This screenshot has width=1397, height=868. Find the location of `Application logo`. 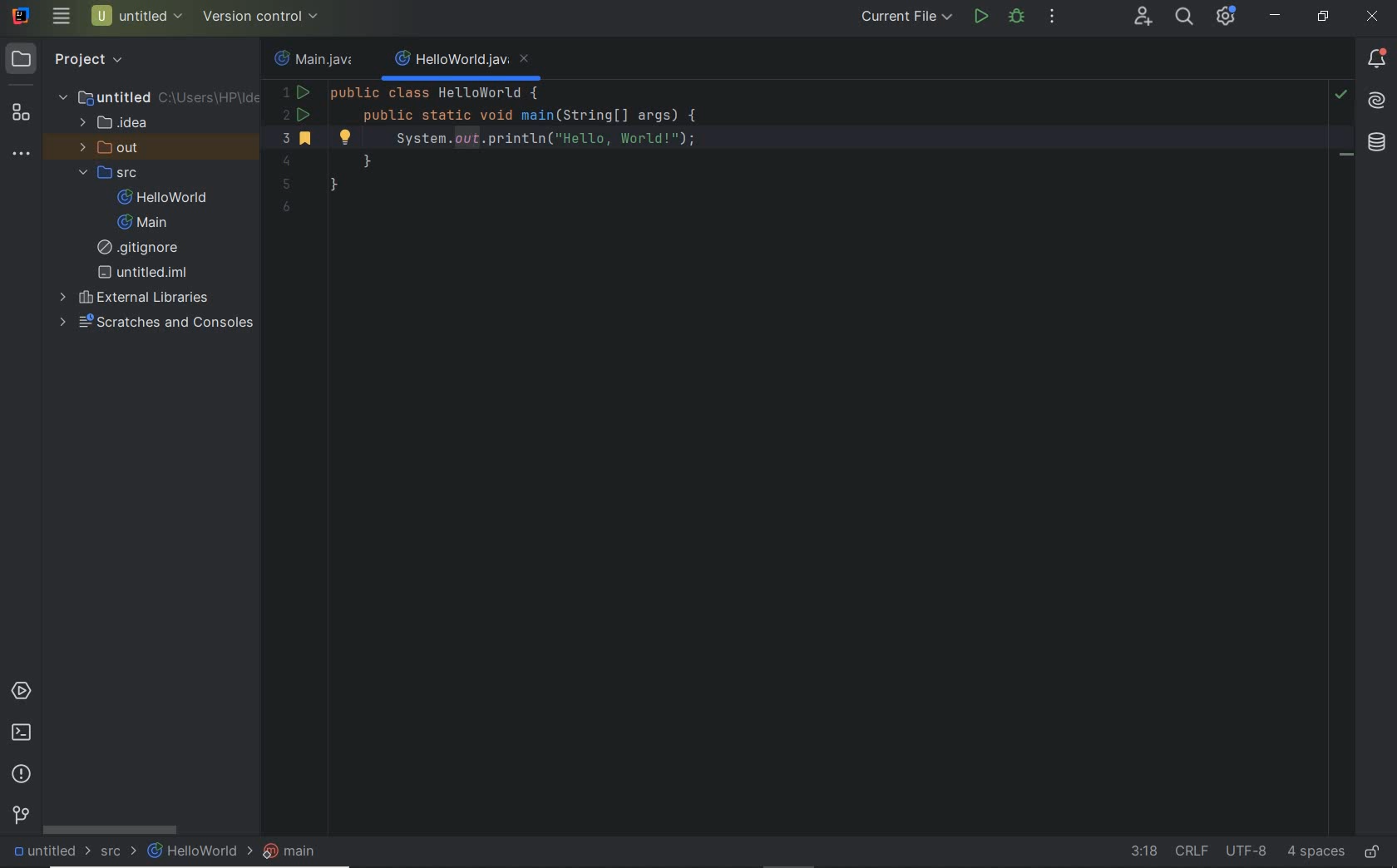

Application logo is located at coordinates (18, 14).